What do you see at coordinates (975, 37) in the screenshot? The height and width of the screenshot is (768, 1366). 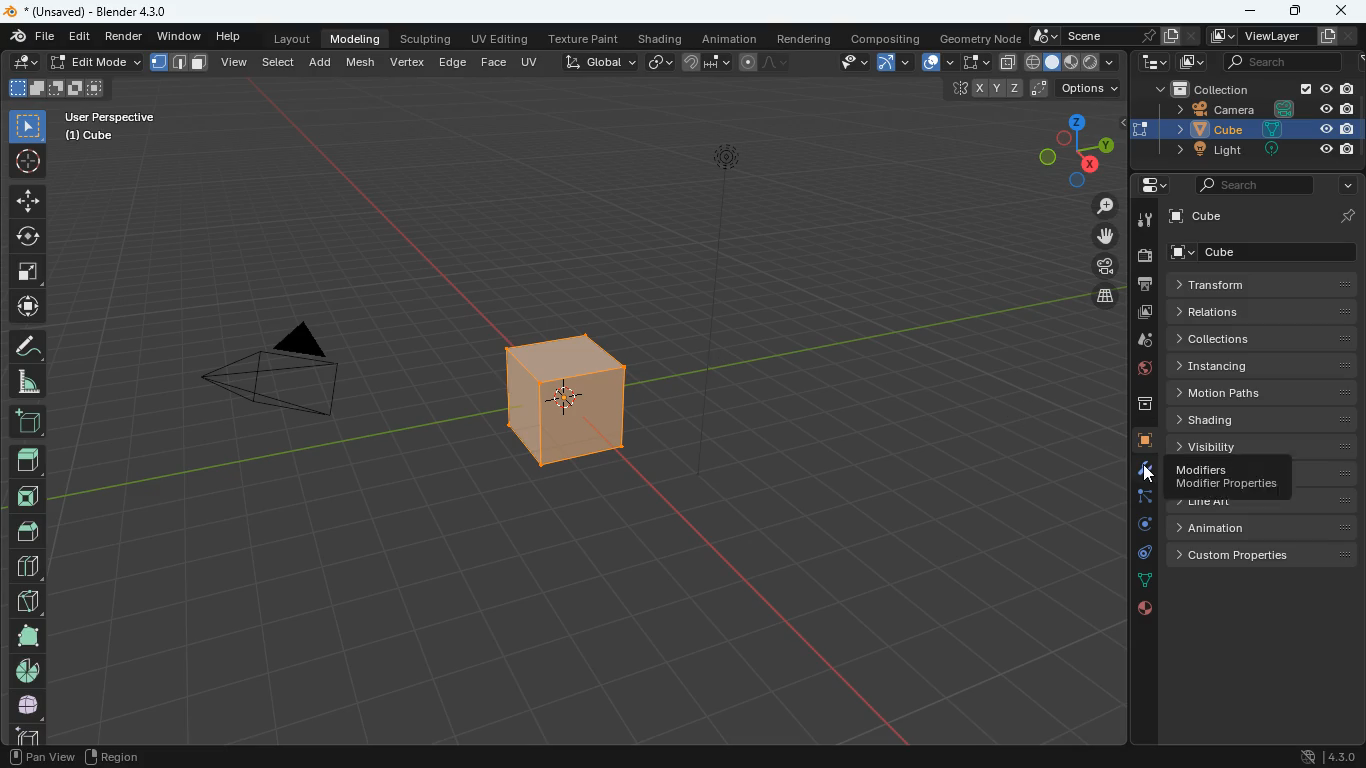 I see `geometry node` at bounding box center [975, 37].